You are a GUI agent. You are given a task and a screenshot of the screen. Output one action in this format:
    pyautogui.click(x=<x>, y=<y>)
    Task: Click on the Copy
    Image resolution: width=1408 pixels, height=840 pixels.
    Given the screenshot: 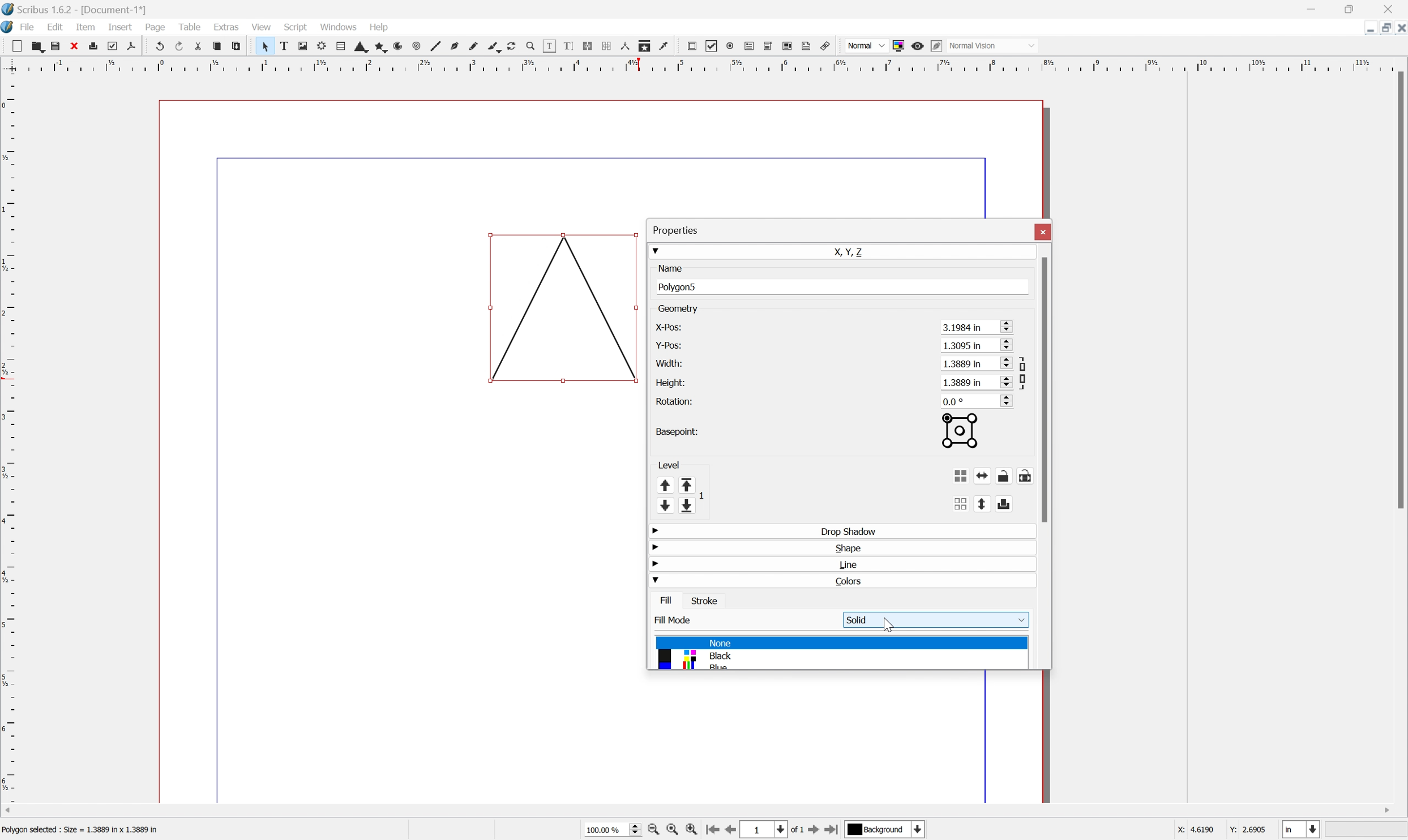 What is the action you would take?
    pyautogui.click(x=216, y=46)
    